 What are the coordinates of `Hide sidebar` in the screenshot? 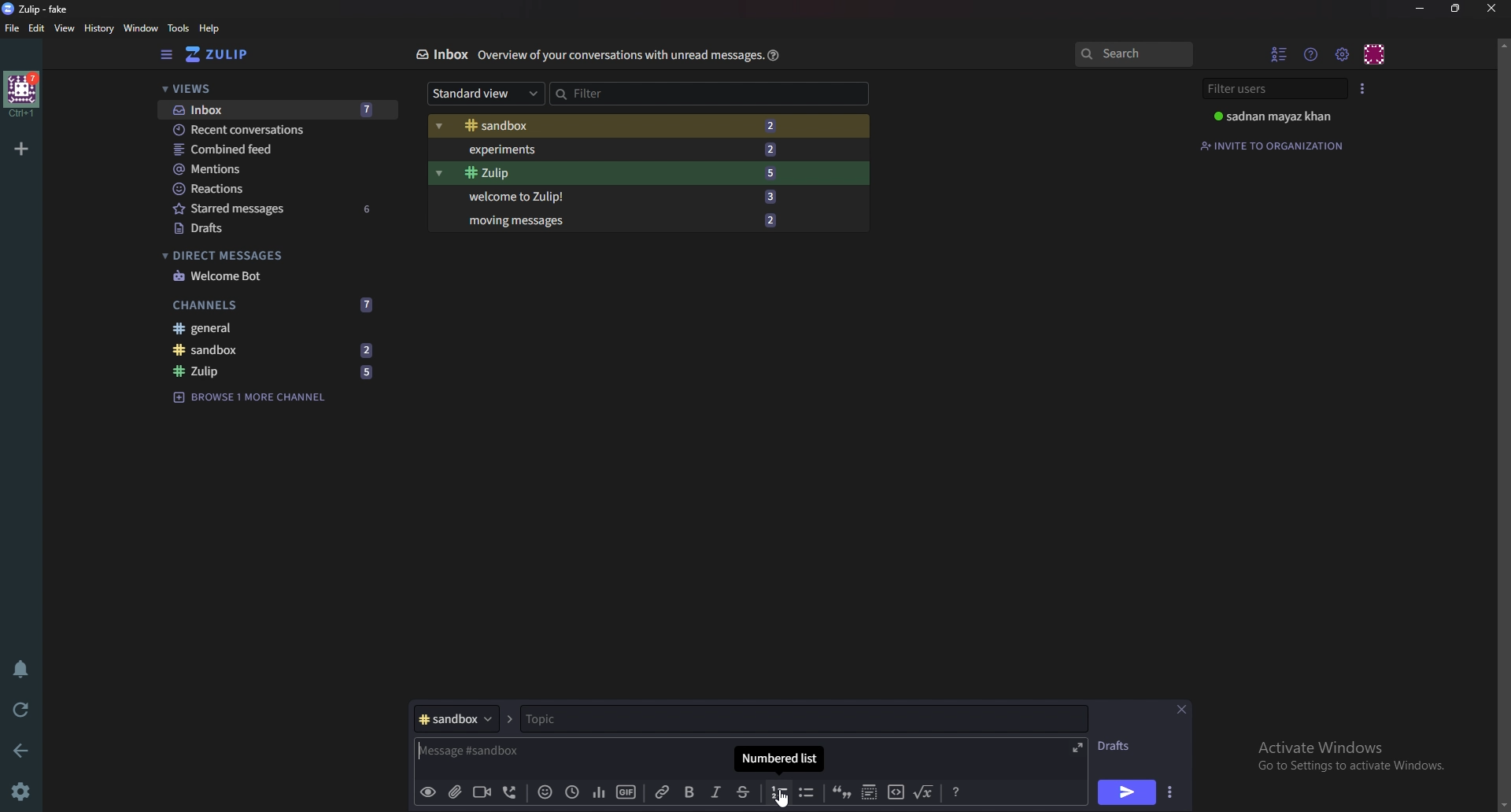 It's located at (166, 55).